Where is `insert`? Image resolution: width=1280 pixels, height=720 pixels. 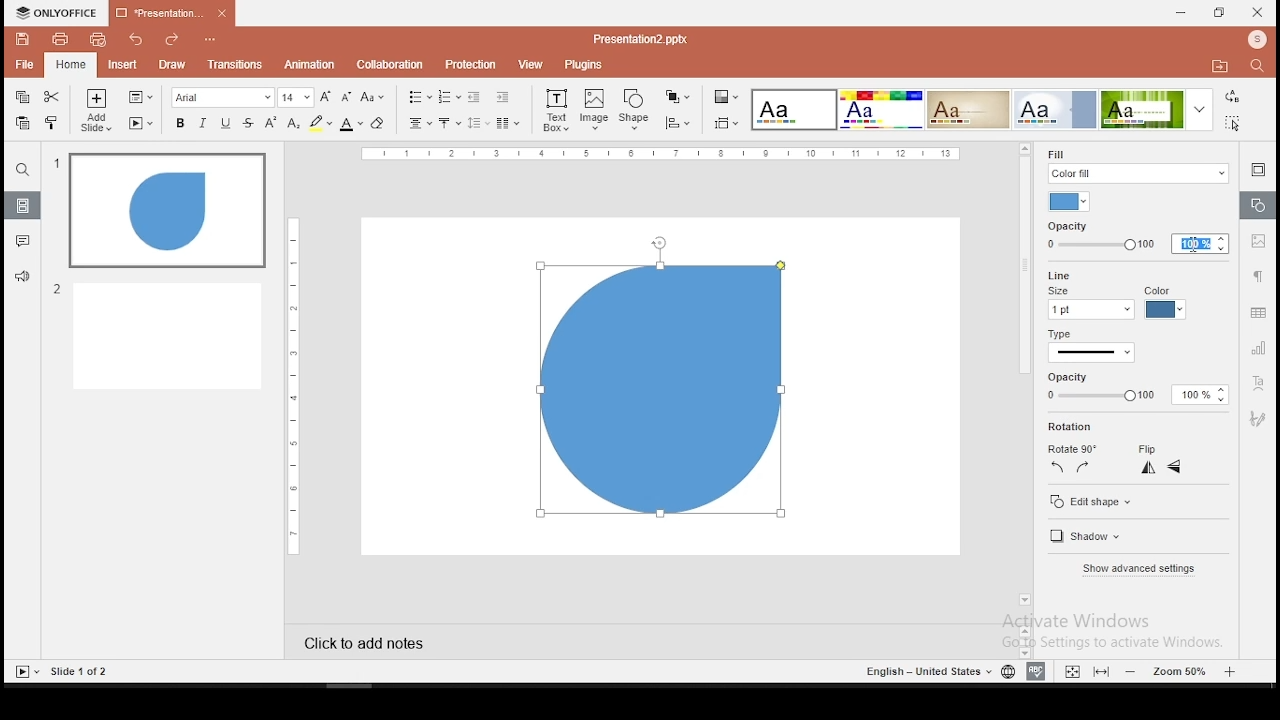 insert is located at coordinates (123, 66).